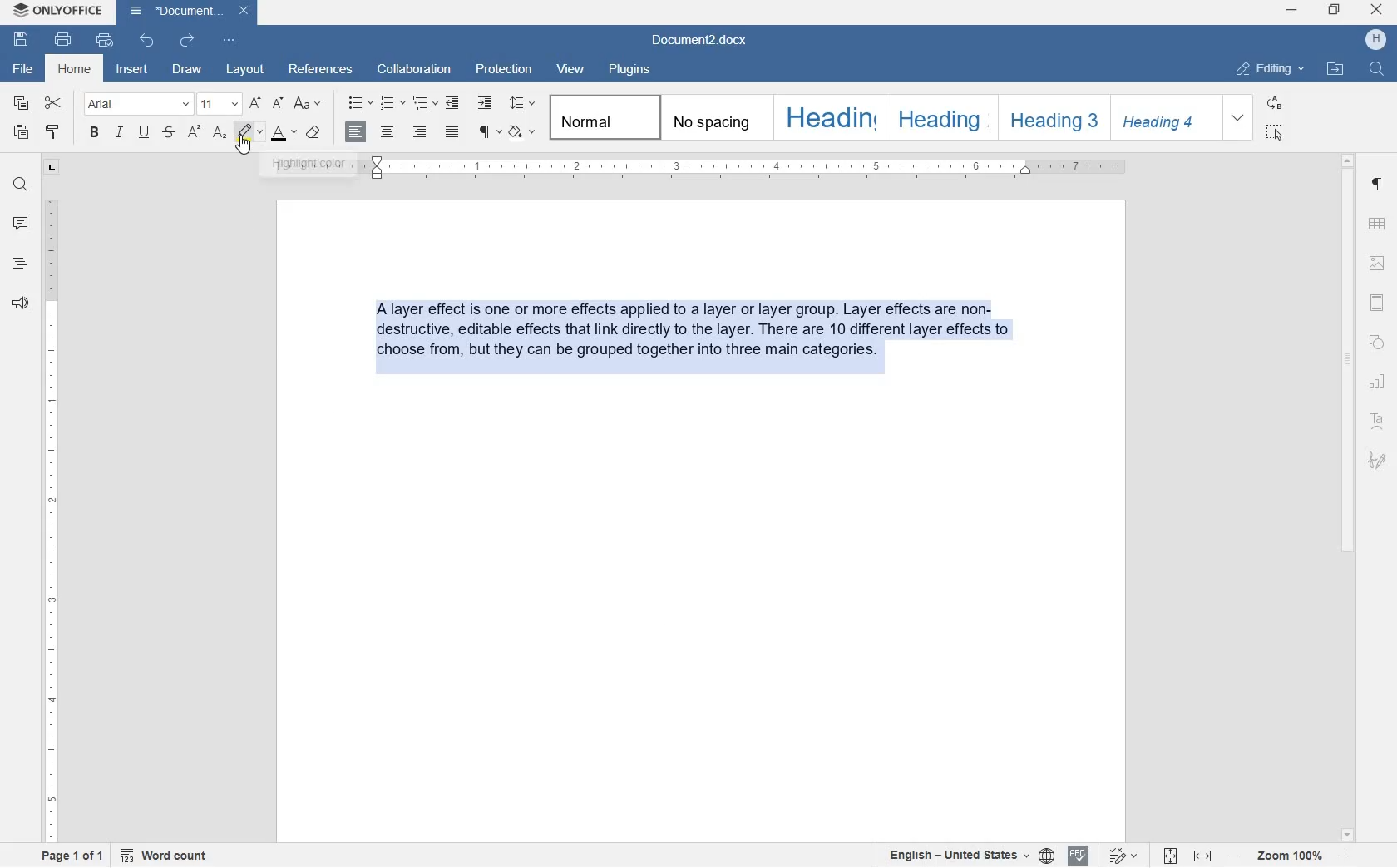 The height and width of the screenshot is (868, 1397). Describe the element at coordinates (53, 131) in the screenshot. I see `COPY STYLE` at that location.